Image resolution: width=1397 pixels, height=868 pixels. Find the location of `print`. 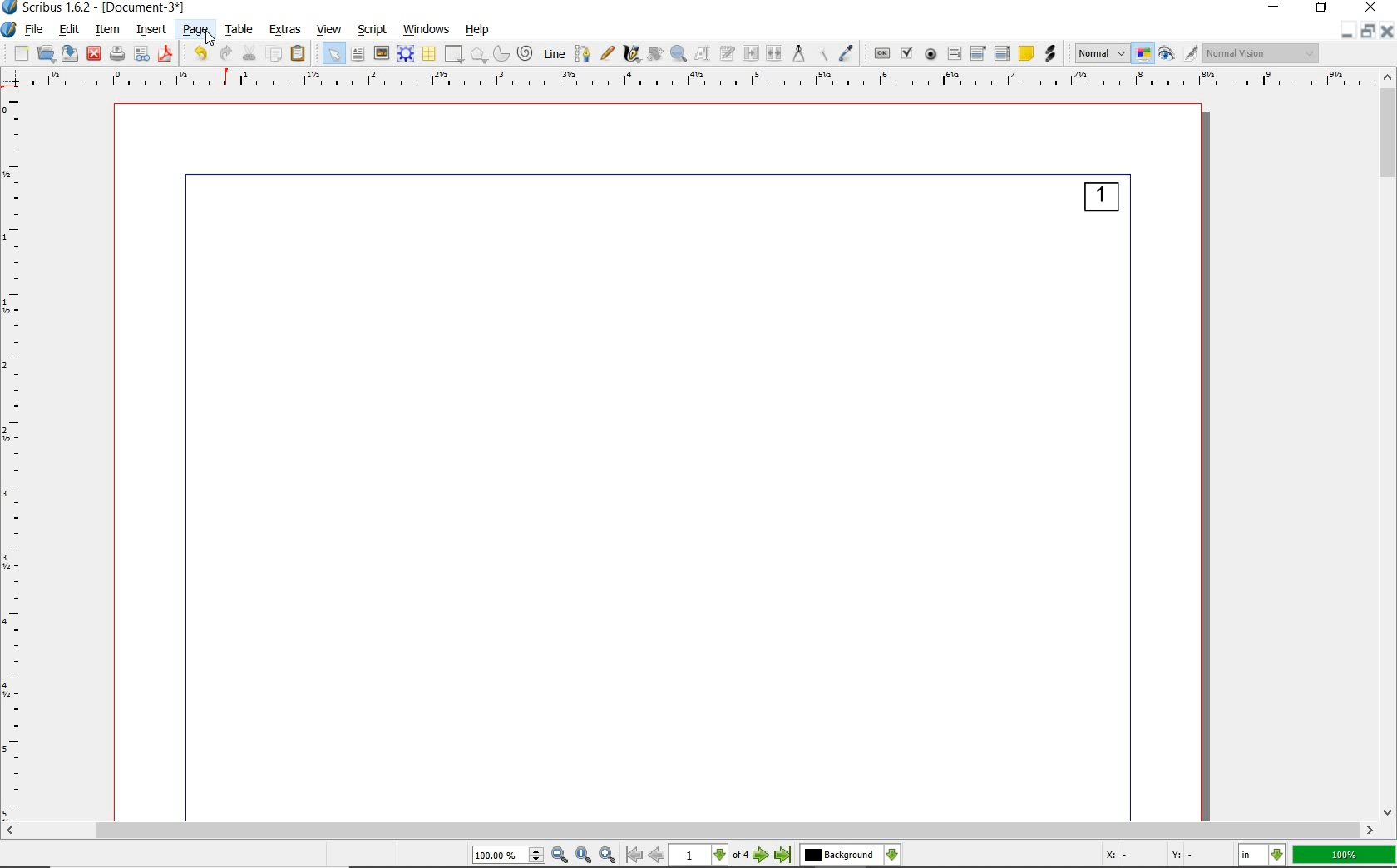

print is located at coordinates (118, 54).